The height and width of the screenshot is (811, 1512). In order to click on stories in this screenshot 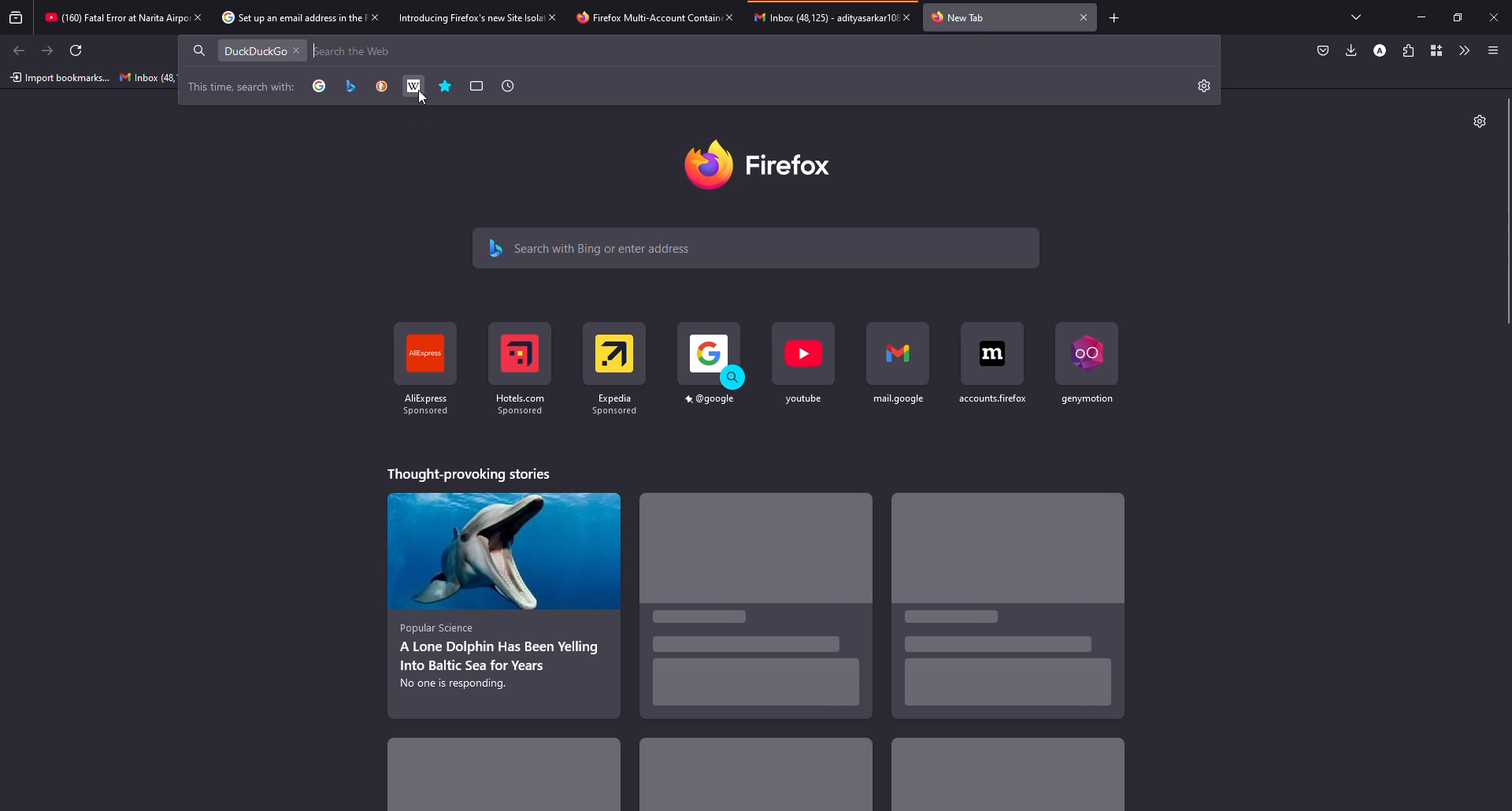, I will do `click(474, 474)`.